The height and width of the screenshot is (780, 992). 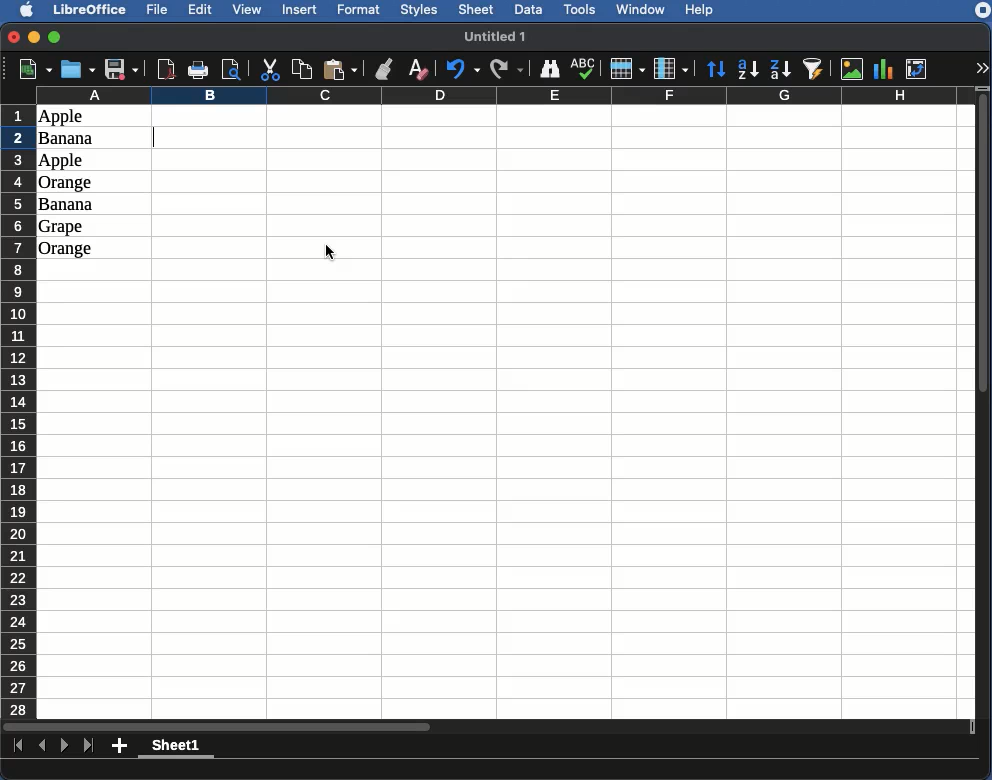 I want to click on Row, so click(x=626, y=69).